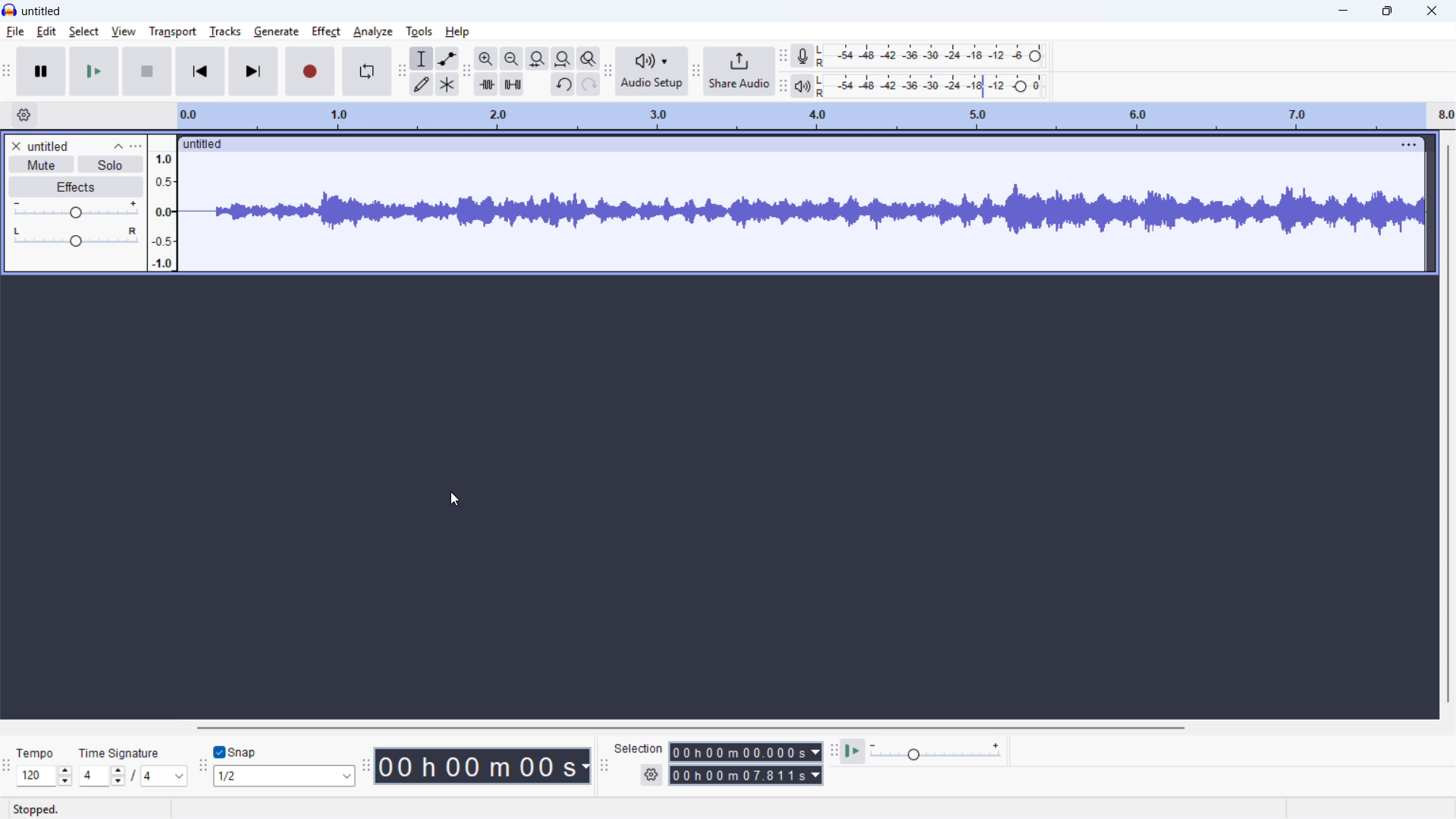 The height and width of the screenshot is (819, 1456). What do you see at coordinates (419, 31) in the screenshot?
I see `tools` at bounding box center [419, 31].